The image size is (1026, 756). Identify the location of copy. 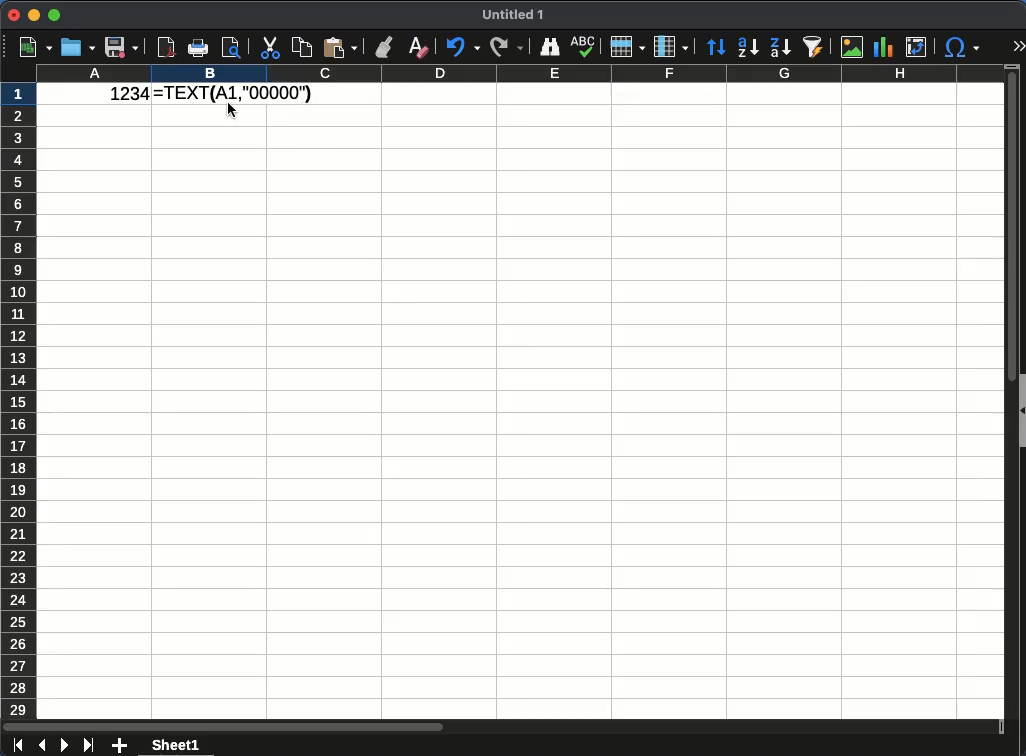
(301, 48).